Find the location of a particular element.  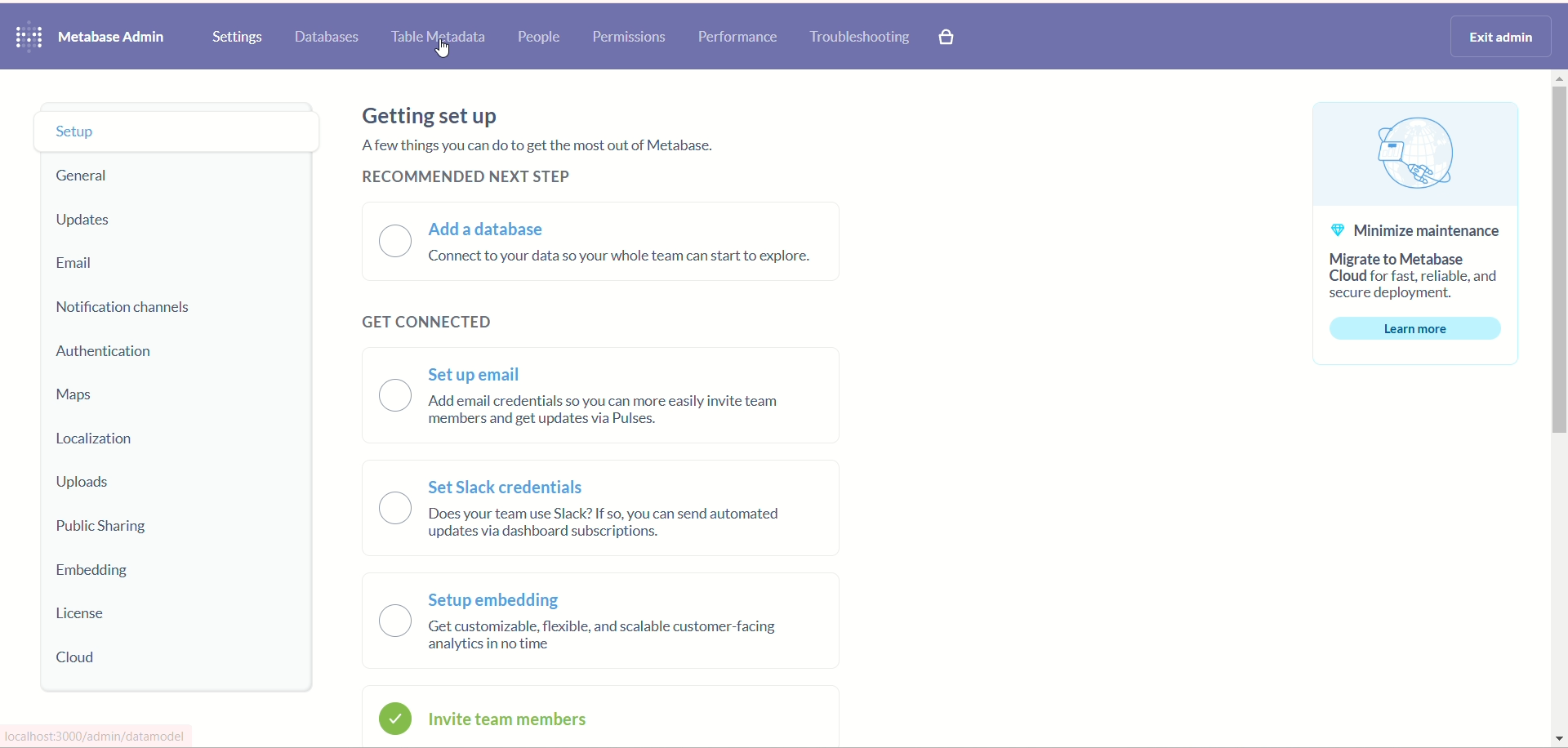

logo is located at coordinates (30, 38).